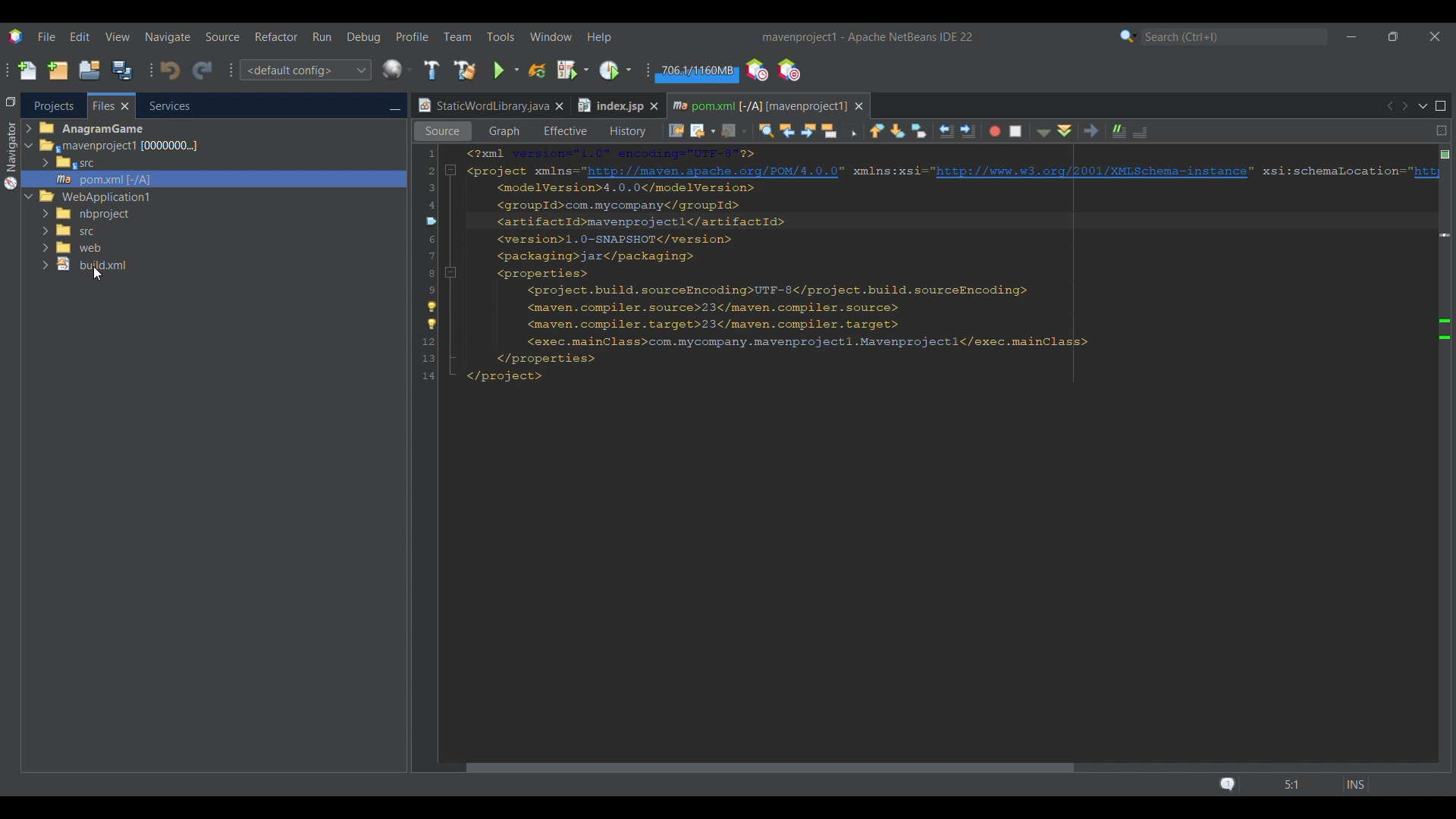 This screenshot has height=819, width=1456. Describe the element at coordinates (27, 71) in the screenshot. I see `New file` at that location.